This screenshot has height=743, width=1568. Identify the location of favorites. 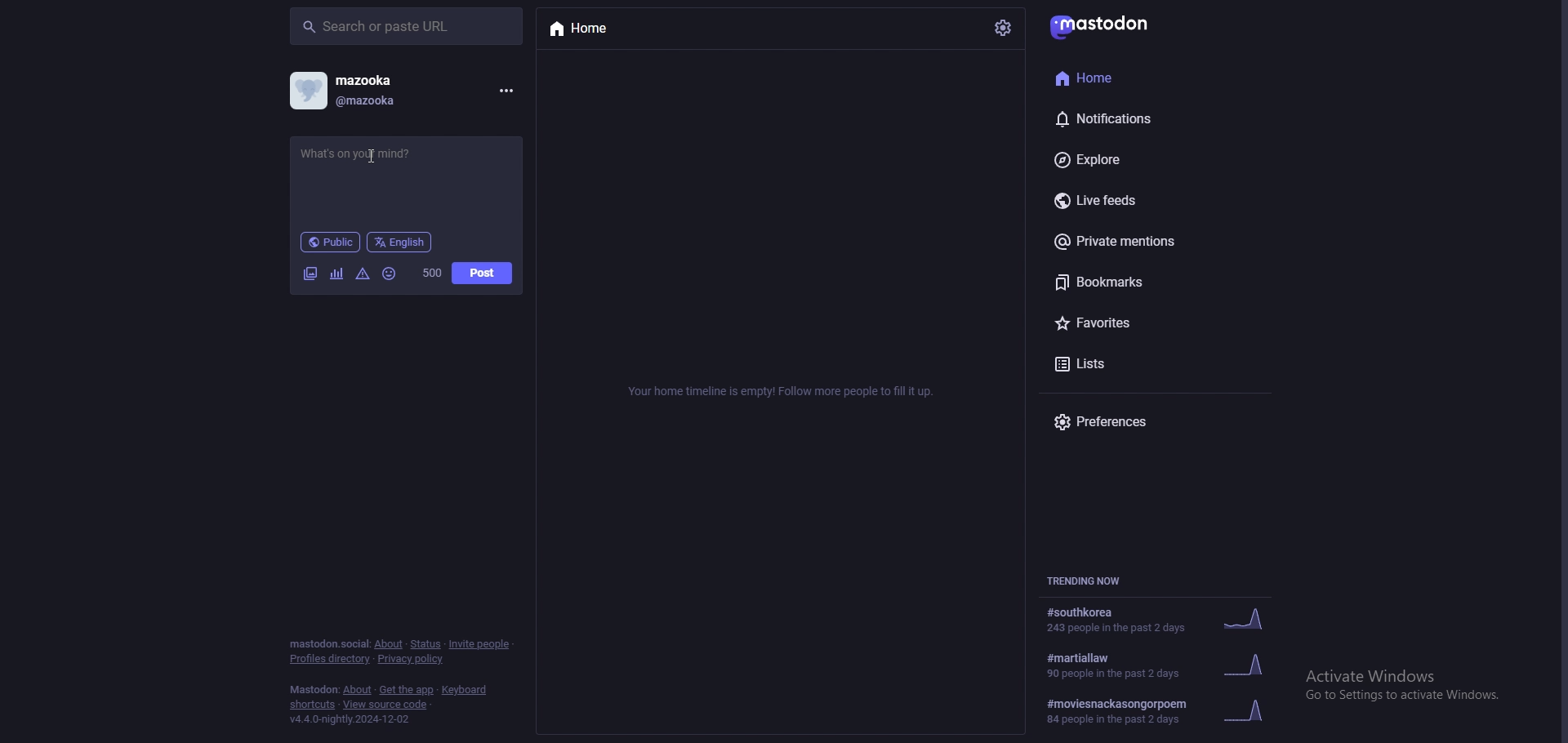
(1138, 322).